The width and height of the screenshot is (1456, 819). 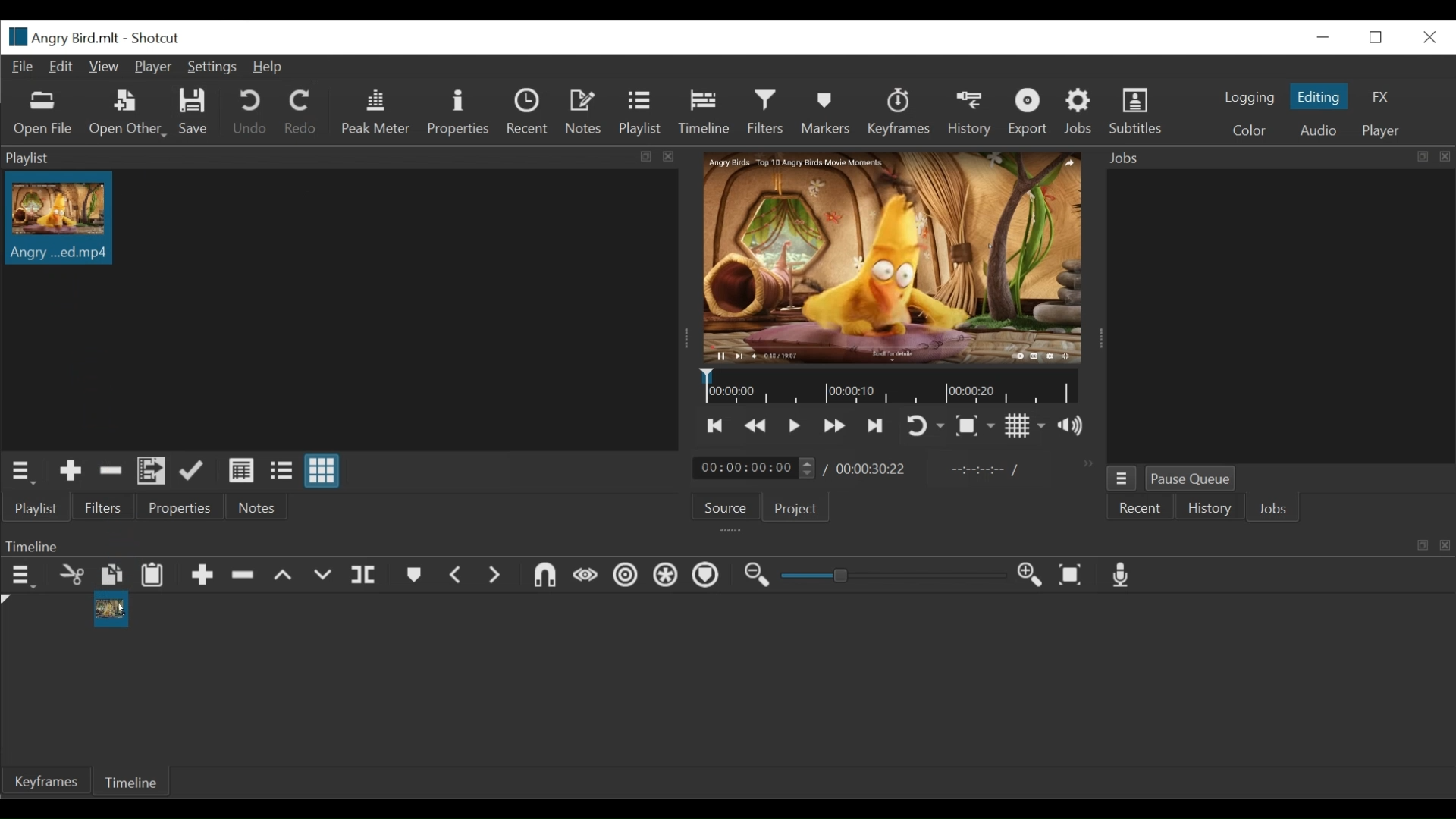 I want to click on overwrite, so click(x=322, y=577).